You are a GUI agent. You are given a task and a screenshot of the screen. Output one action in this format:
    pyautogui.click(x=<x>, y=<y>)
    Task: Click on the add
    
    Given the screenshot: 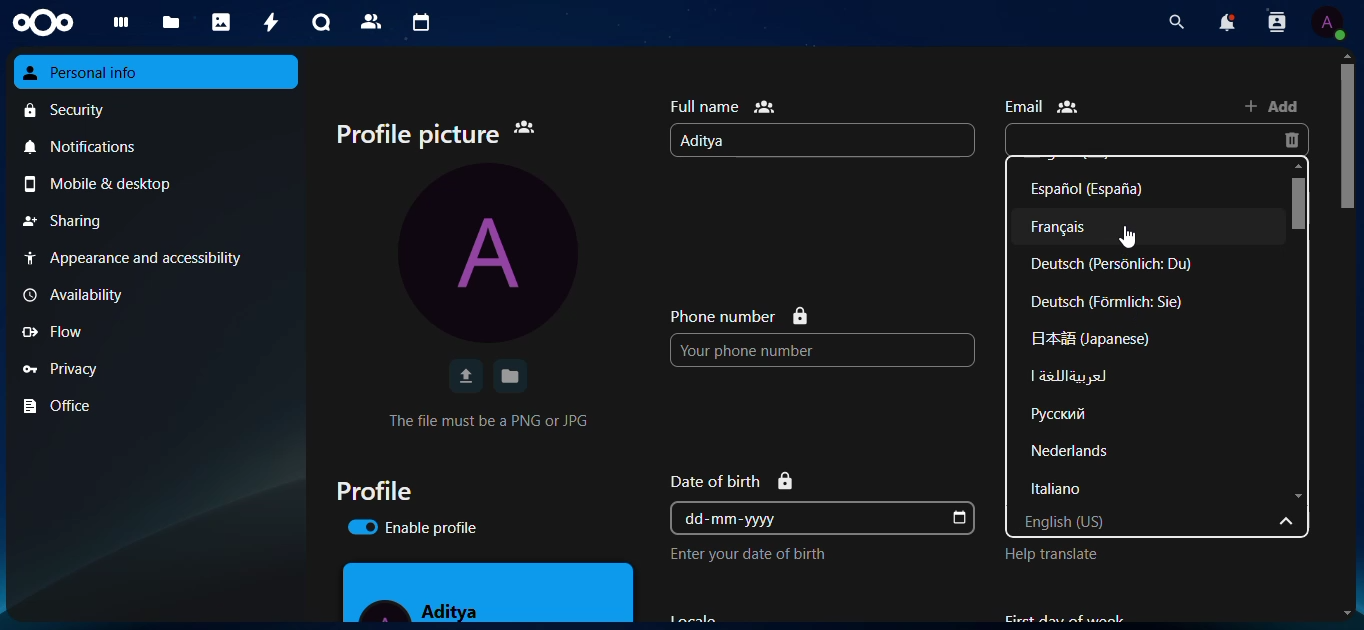 What is the action you would take?
    pyautogui.click(x=1277, y=106)
    